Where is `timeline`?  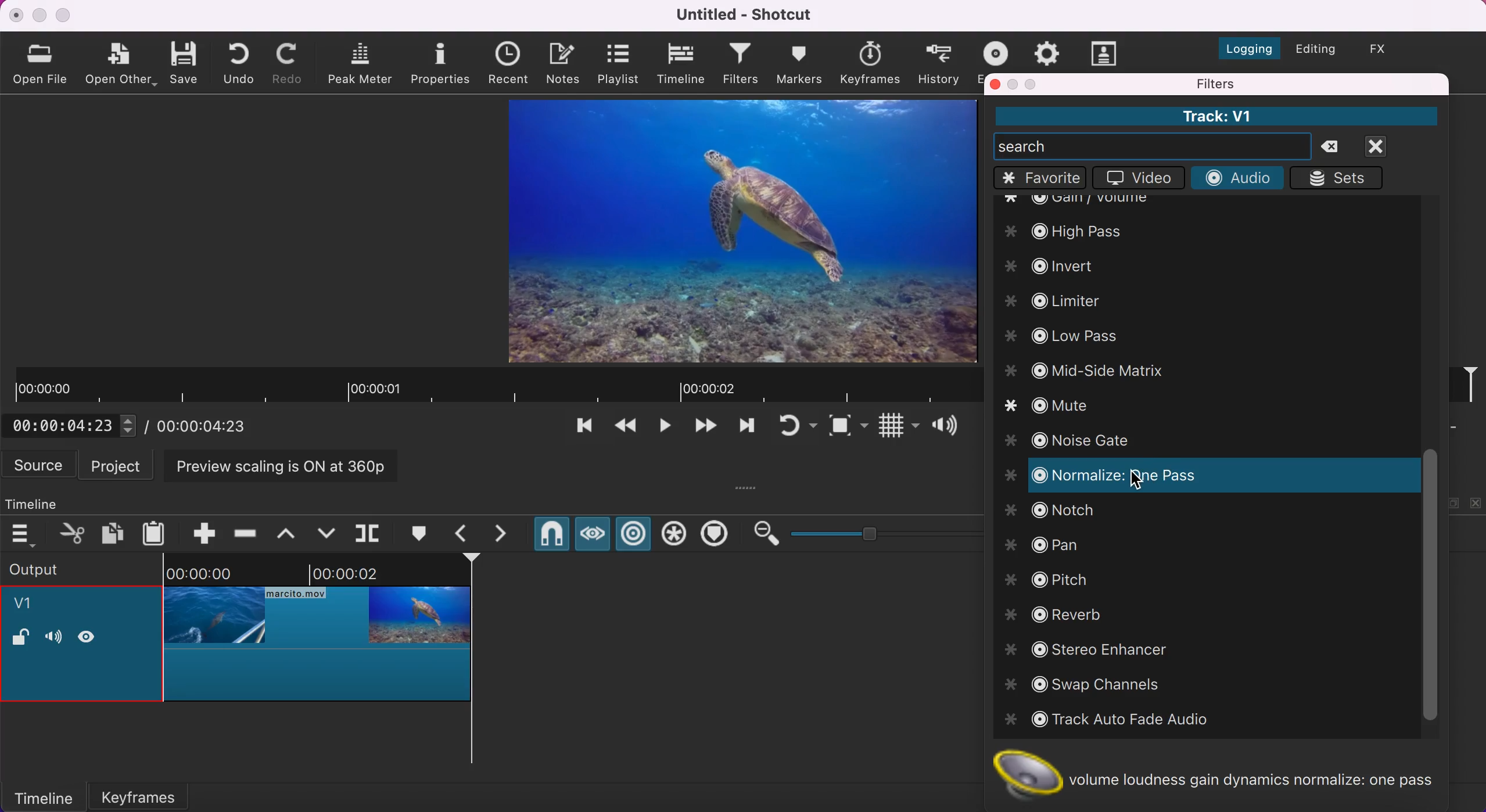 timeline is located at coordinates (43, 796).